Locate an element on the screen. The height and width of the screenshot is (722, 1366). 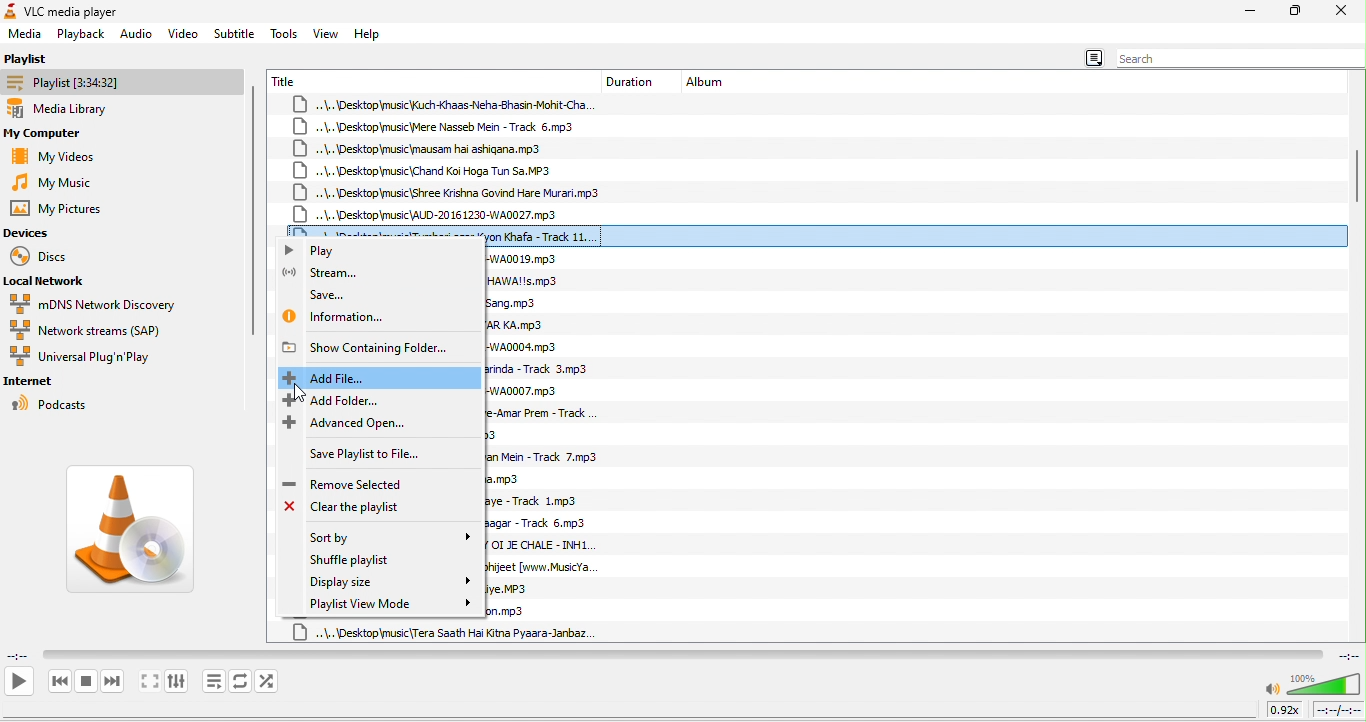
my pictures is located at coordinates (69, 210).